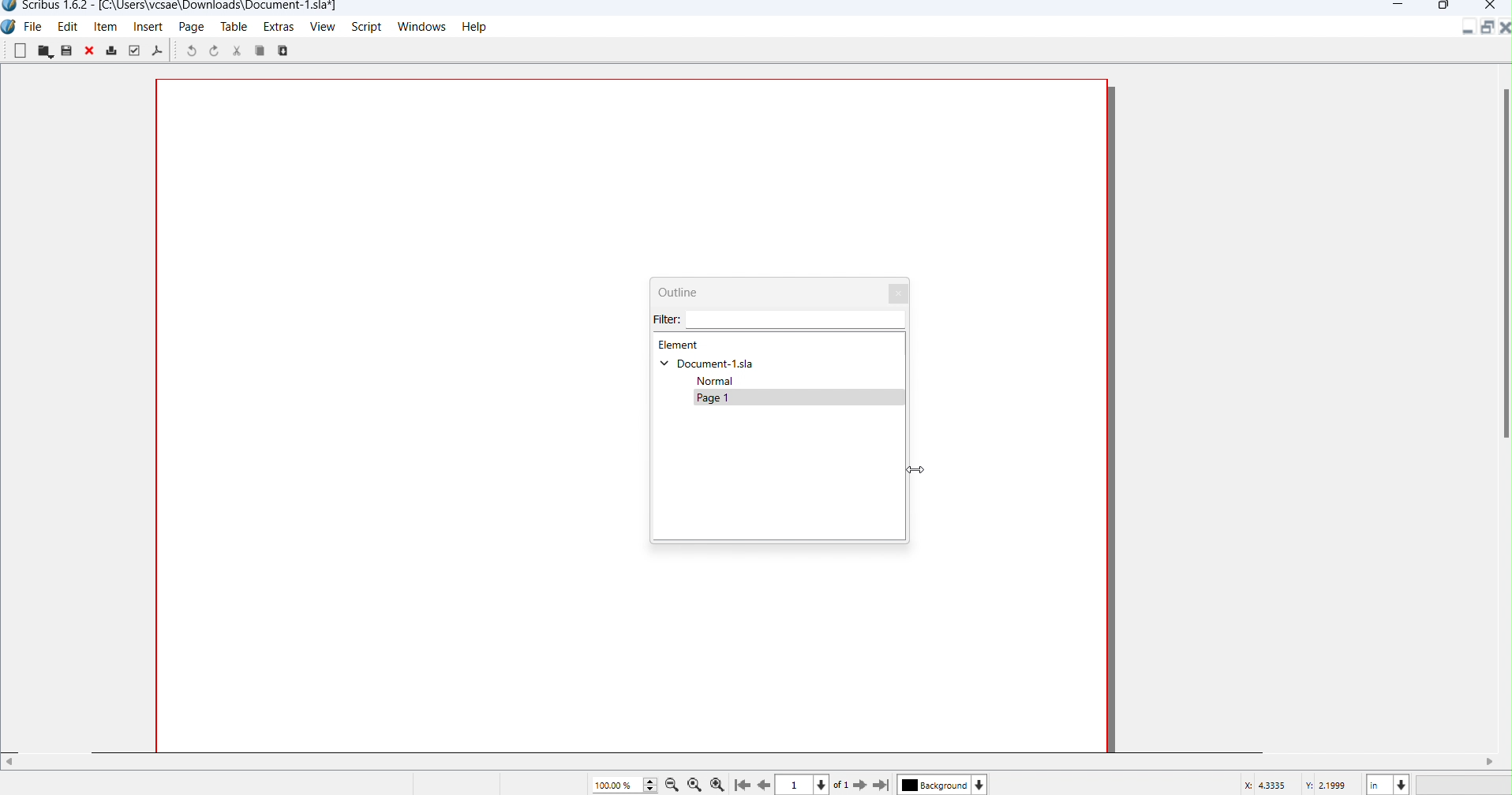 The height and width of the screenshot is (795, 1512). I want to click on File, so click(35, 28).